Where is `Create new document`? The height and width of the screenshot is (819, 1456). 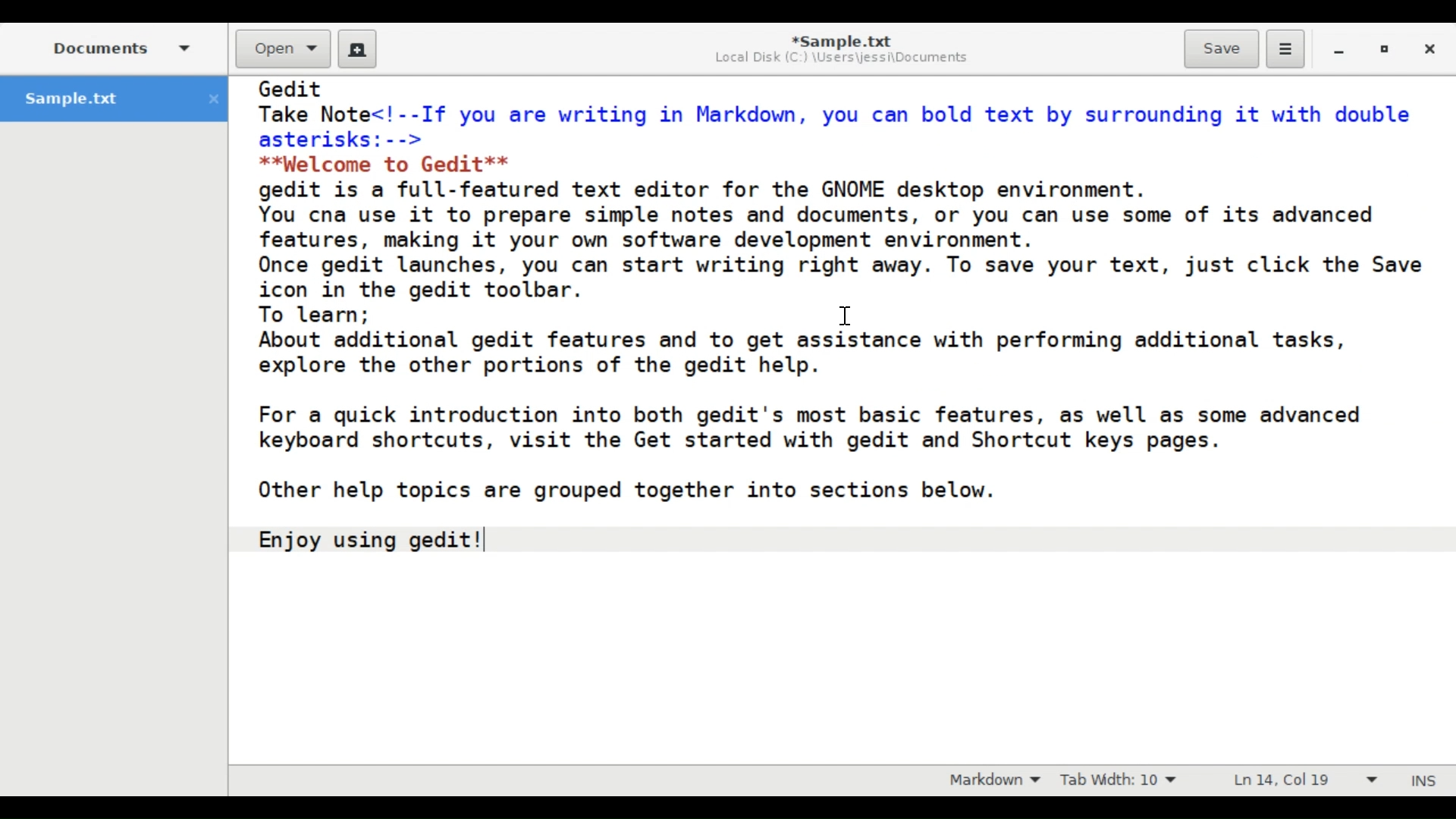
Create new document is located at coordinates (358, 49).